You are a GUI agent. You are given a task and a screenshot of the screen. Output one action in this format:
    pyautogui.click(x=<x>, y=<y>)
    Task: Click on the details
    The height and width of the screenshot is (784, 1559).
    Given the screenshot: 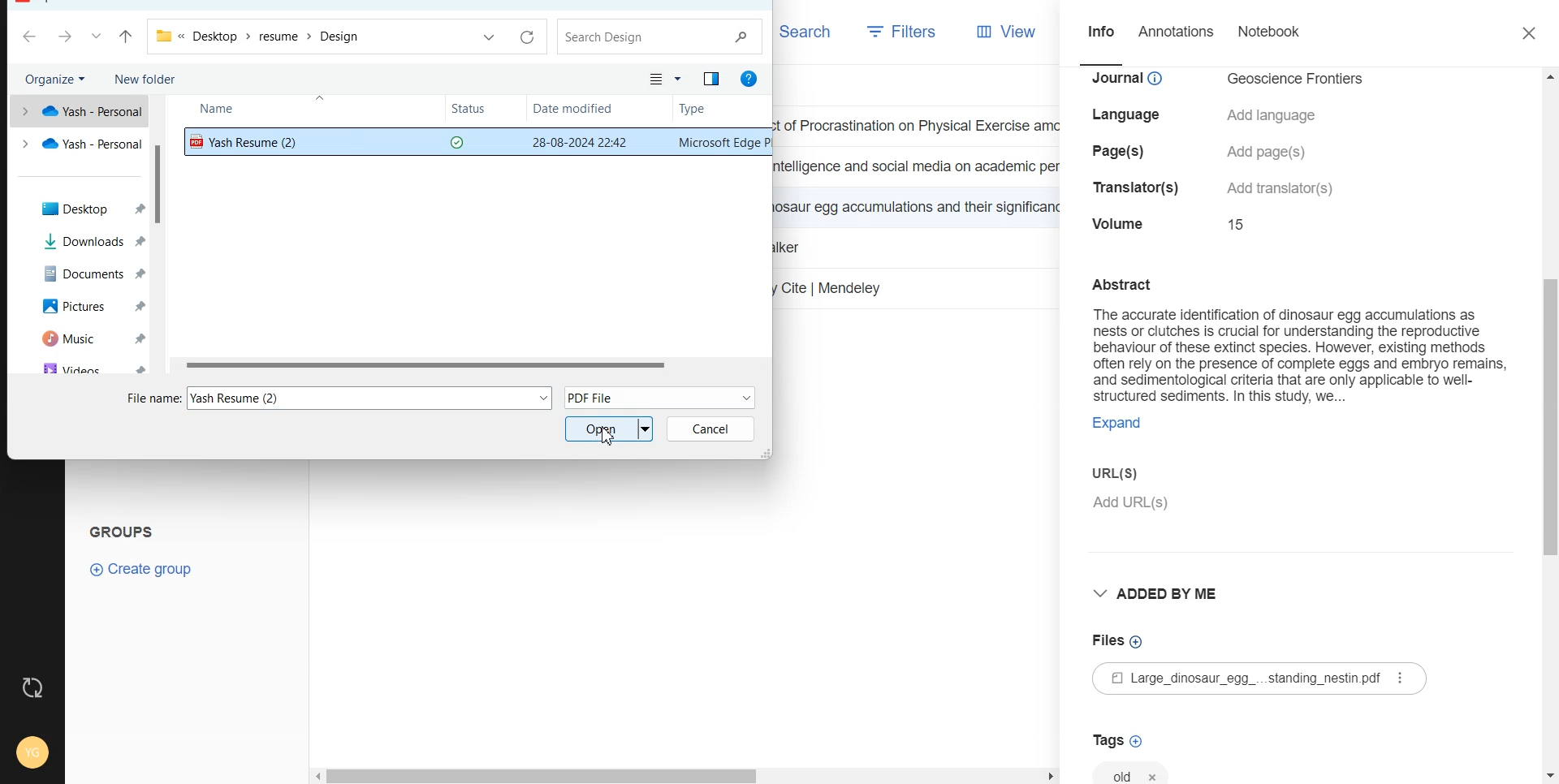 What is the action you would take?
    pyautogui.click(x=1121, y=223)
    